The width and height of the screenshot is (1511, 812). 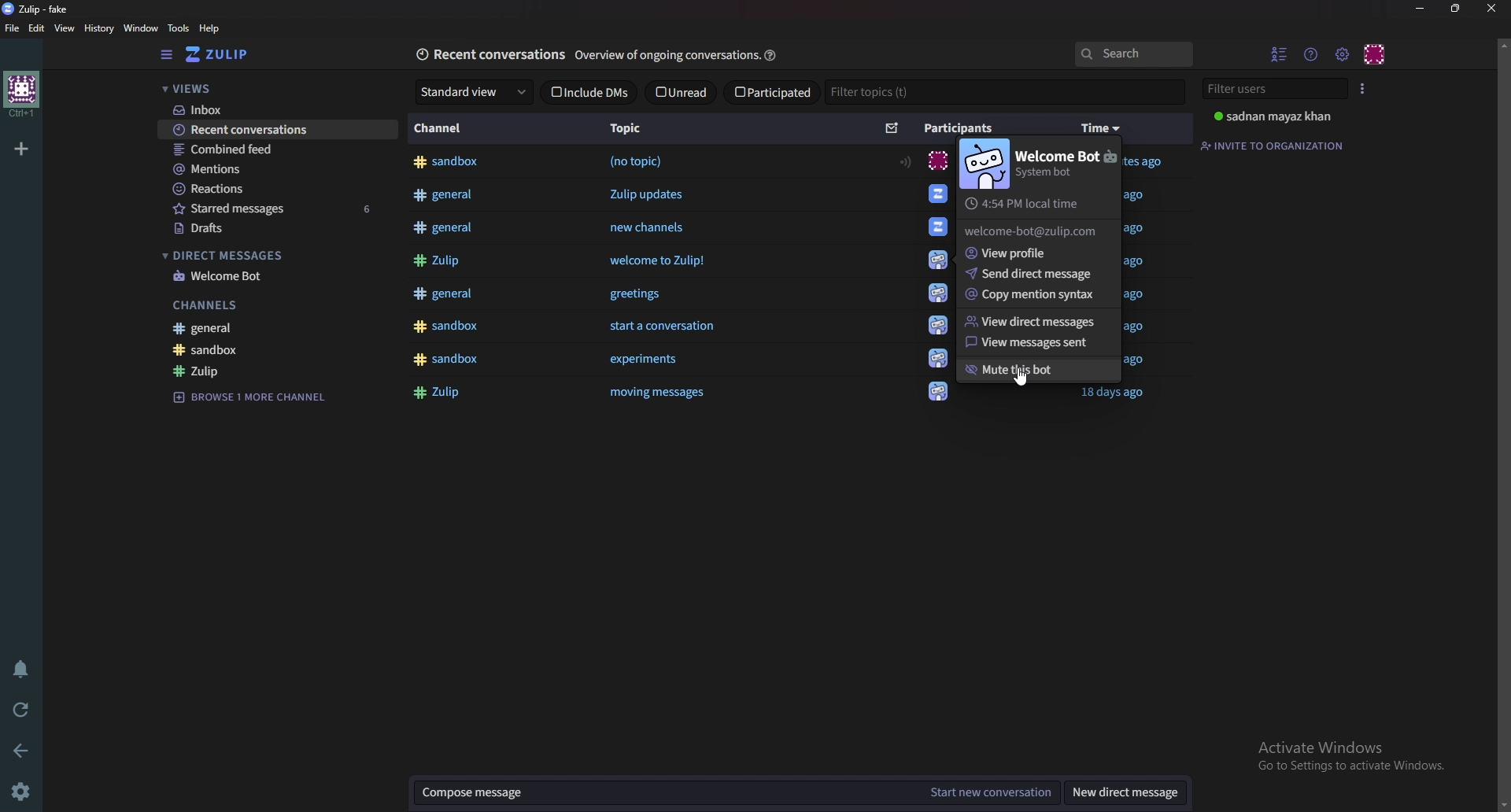 I want to click on Send direct message, so click(x=1031, y=273).